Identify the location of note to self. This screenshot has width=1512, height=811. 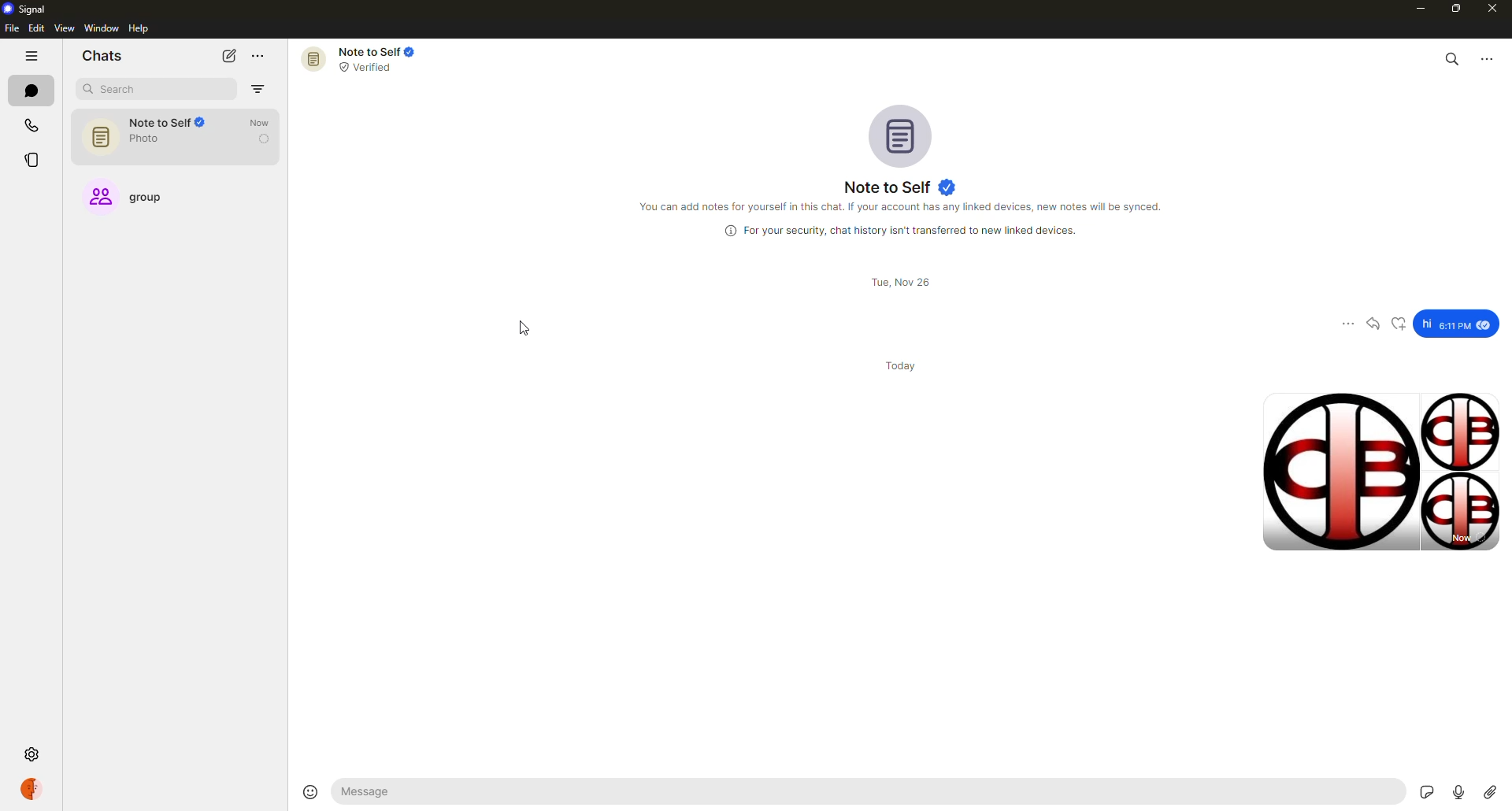
(364, 57).